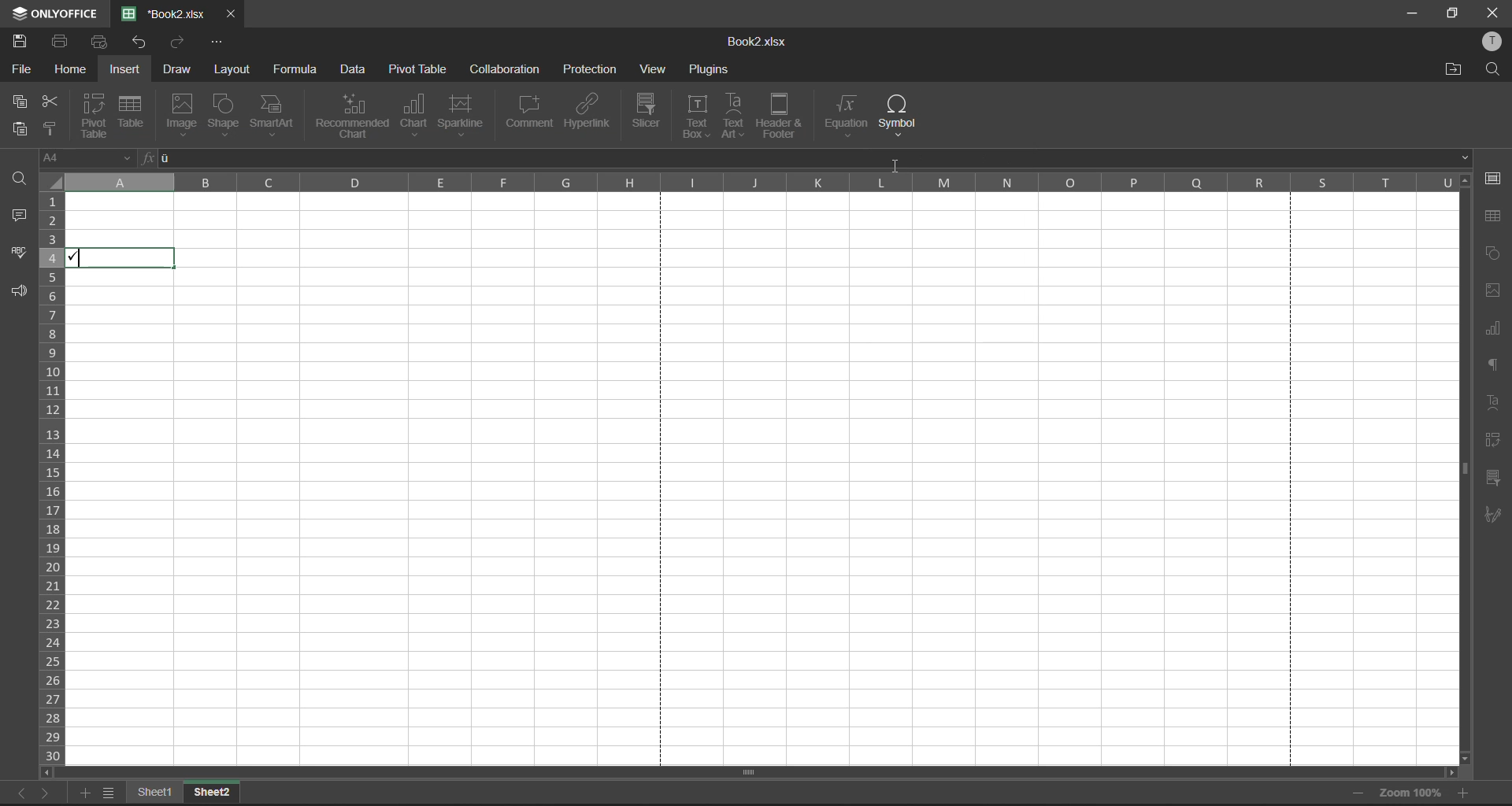  Describe the element at coordinates (352, 69) in the screenshot. I see `data` at that location.